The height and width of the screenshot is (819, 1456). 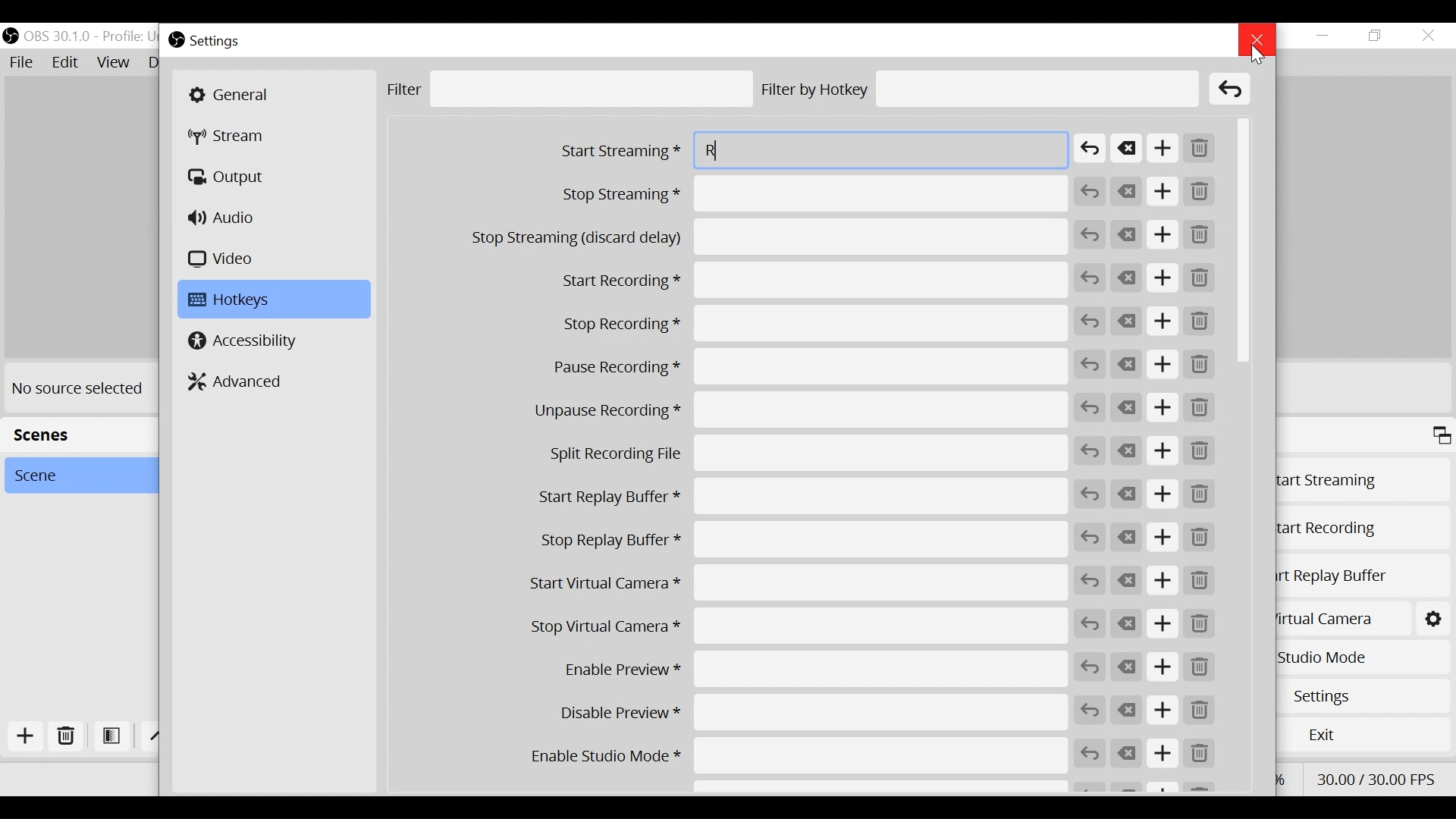 I want to click on Clear, so click(x=1128, y=366).